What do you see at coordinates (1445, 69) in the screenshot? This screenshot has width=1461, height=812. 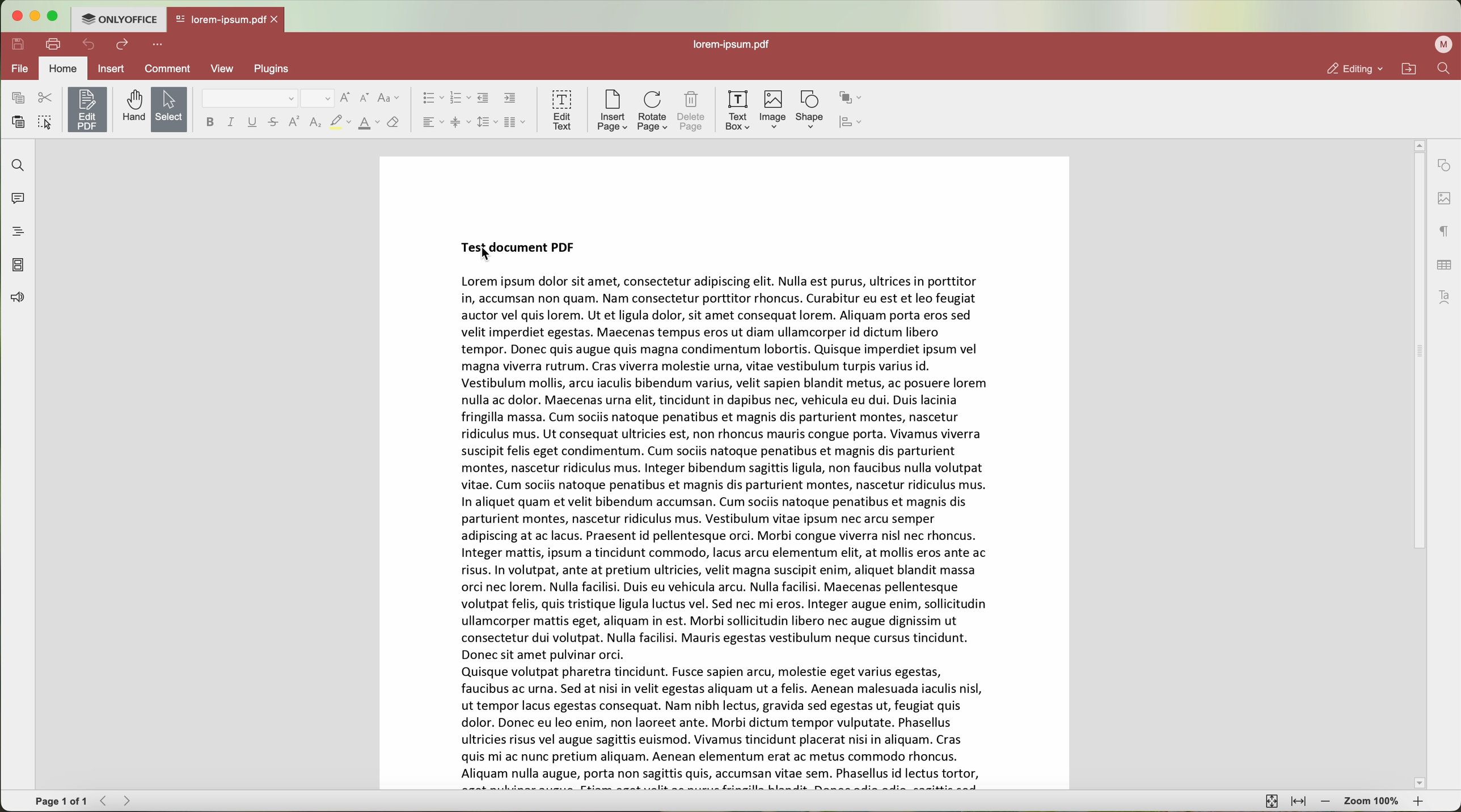 I see `find` at bounding box center [1445, 69].